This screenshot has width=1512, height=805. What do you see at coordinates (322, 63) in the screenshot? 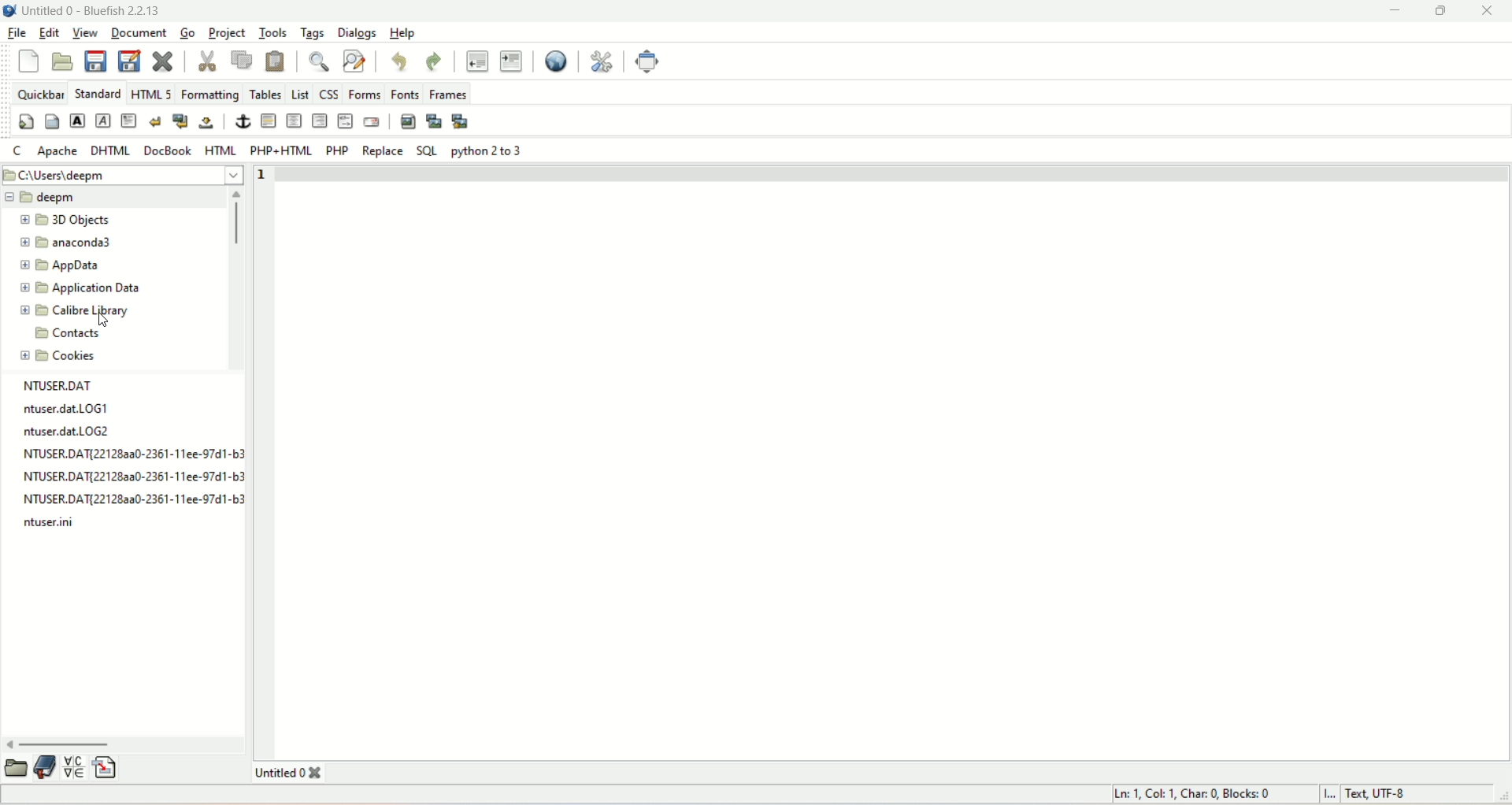
I see `show find bar` at bounding box center [322, 63].